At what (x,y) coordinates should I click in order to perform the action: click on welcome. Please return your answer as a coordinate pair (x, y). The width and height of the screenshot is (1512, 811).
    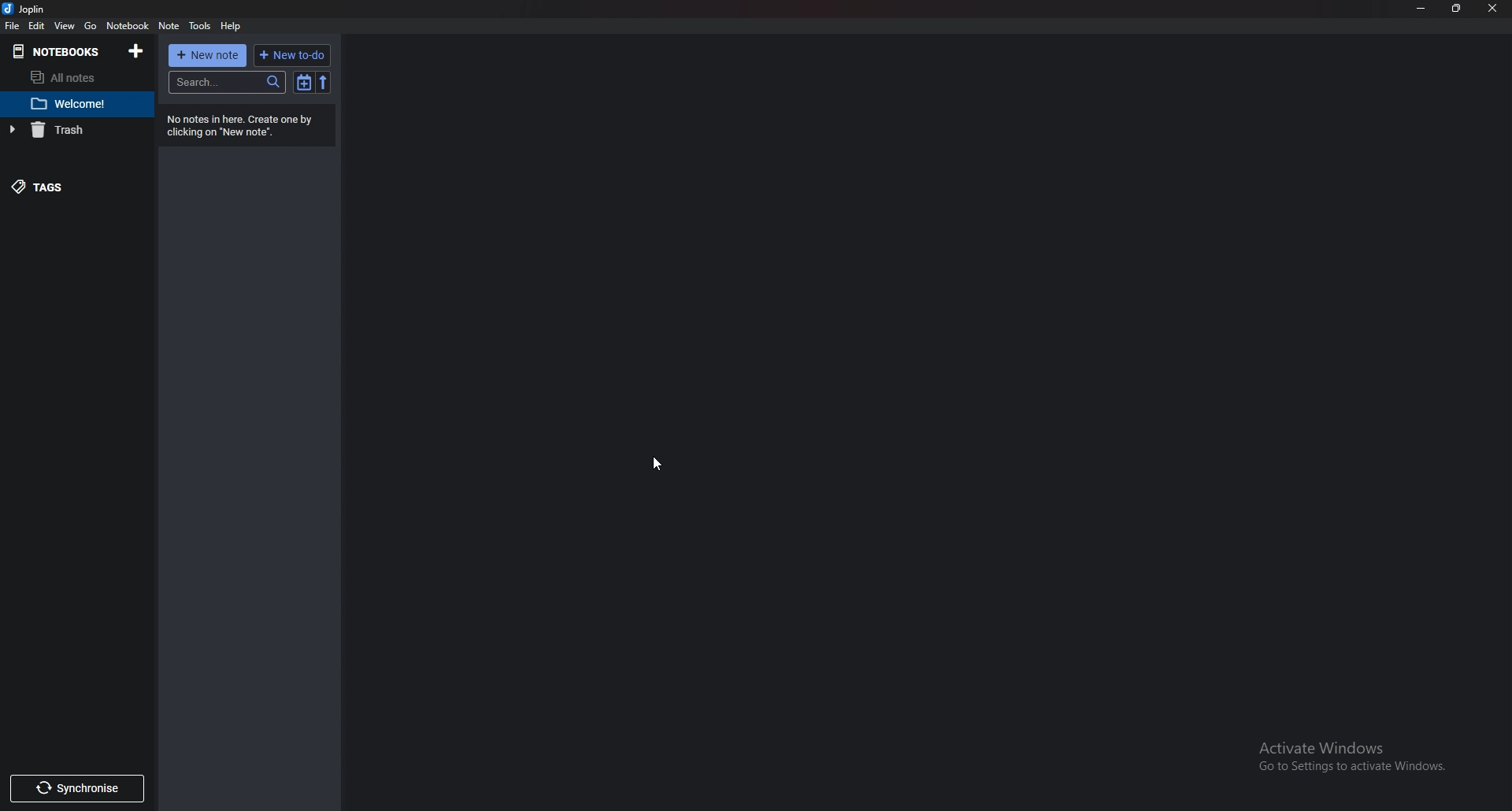
    Looking at the image, I should click on (72, 106).